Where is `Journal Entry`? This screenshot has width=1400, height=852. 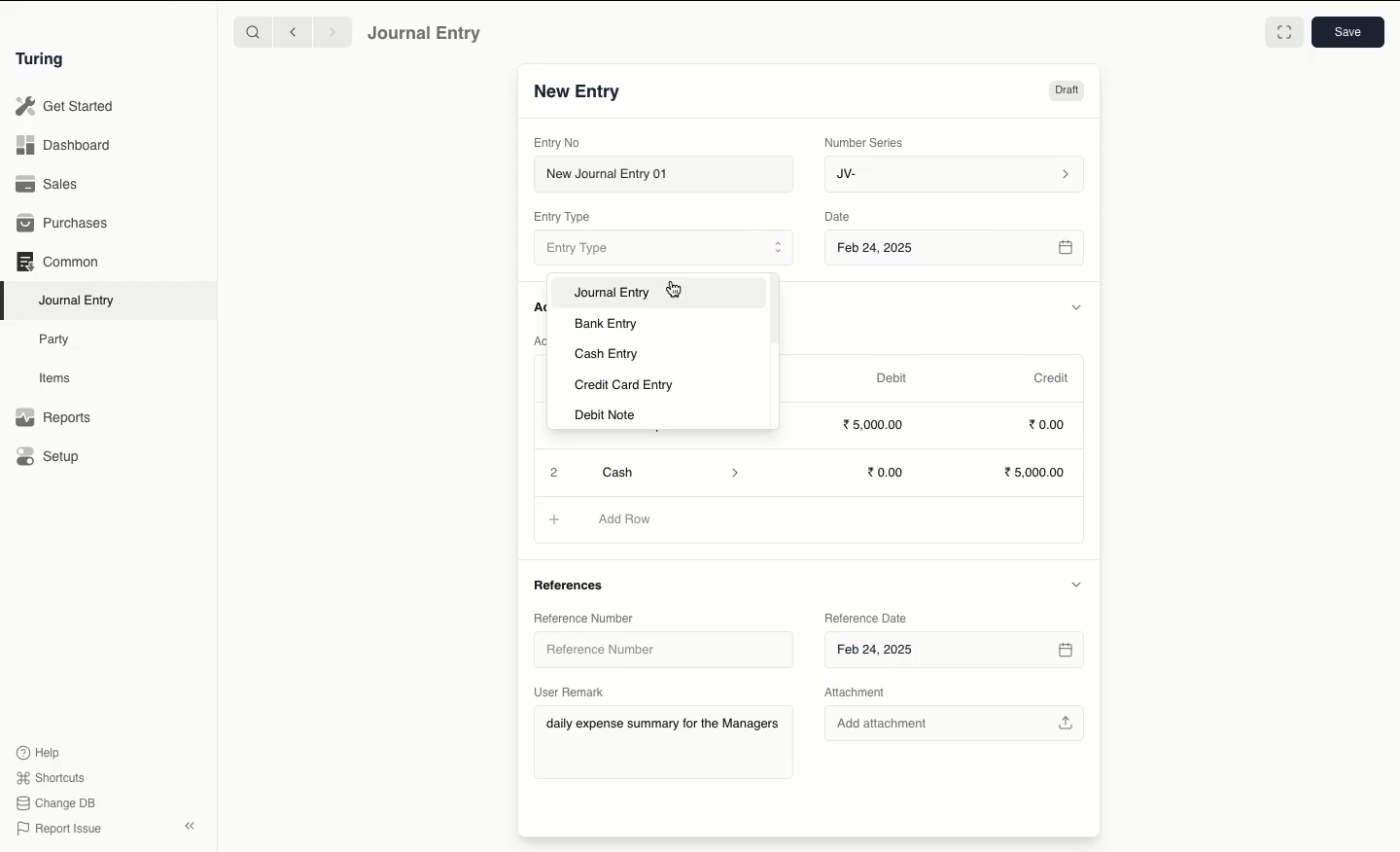 Journal Entry is located at coordinates (78, 302).